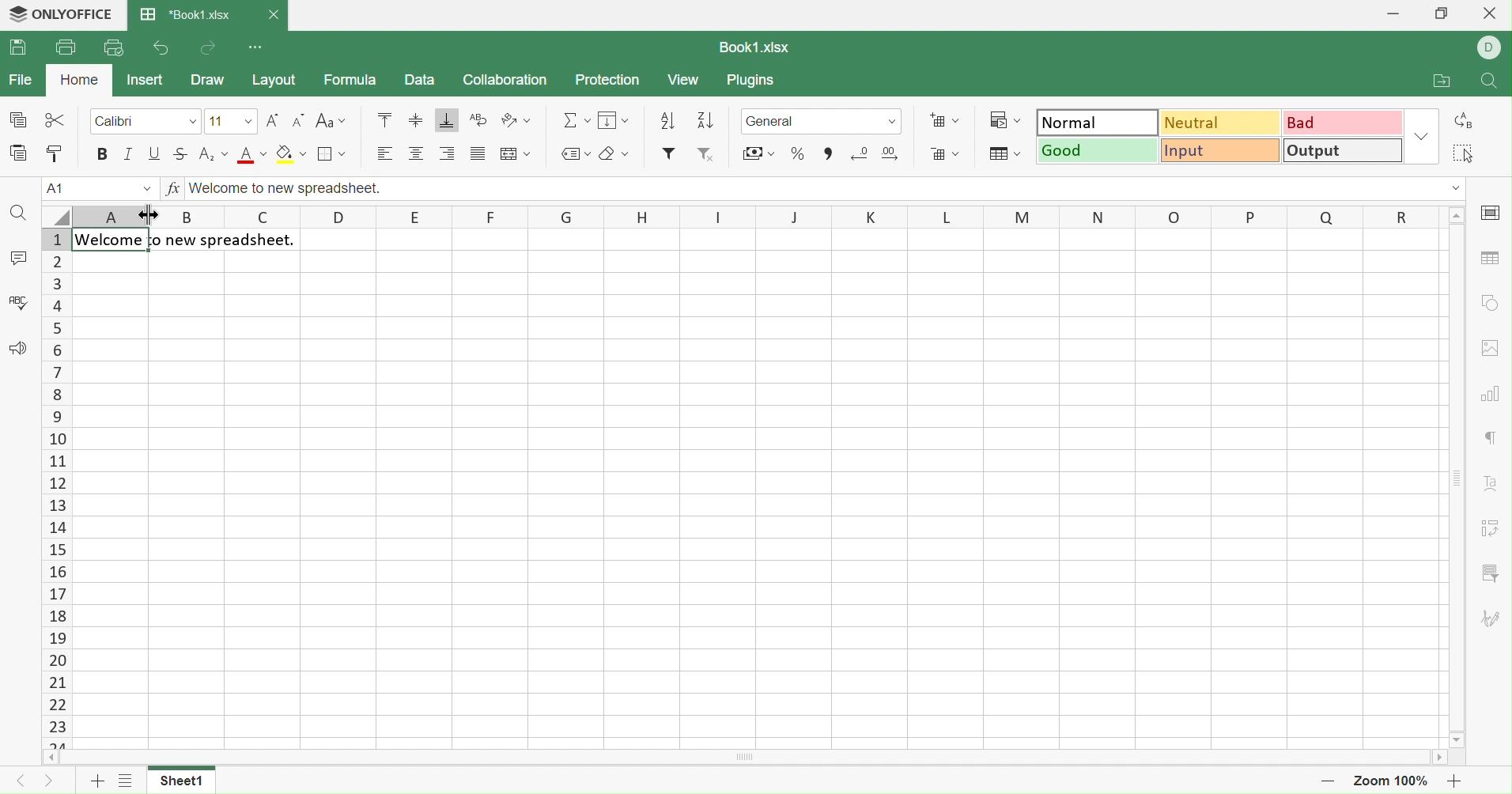 This screenshot has width=1512, height=794. Describe the element at coordinates (1494, 348) in the screenshot. I see `image settings` at that location.